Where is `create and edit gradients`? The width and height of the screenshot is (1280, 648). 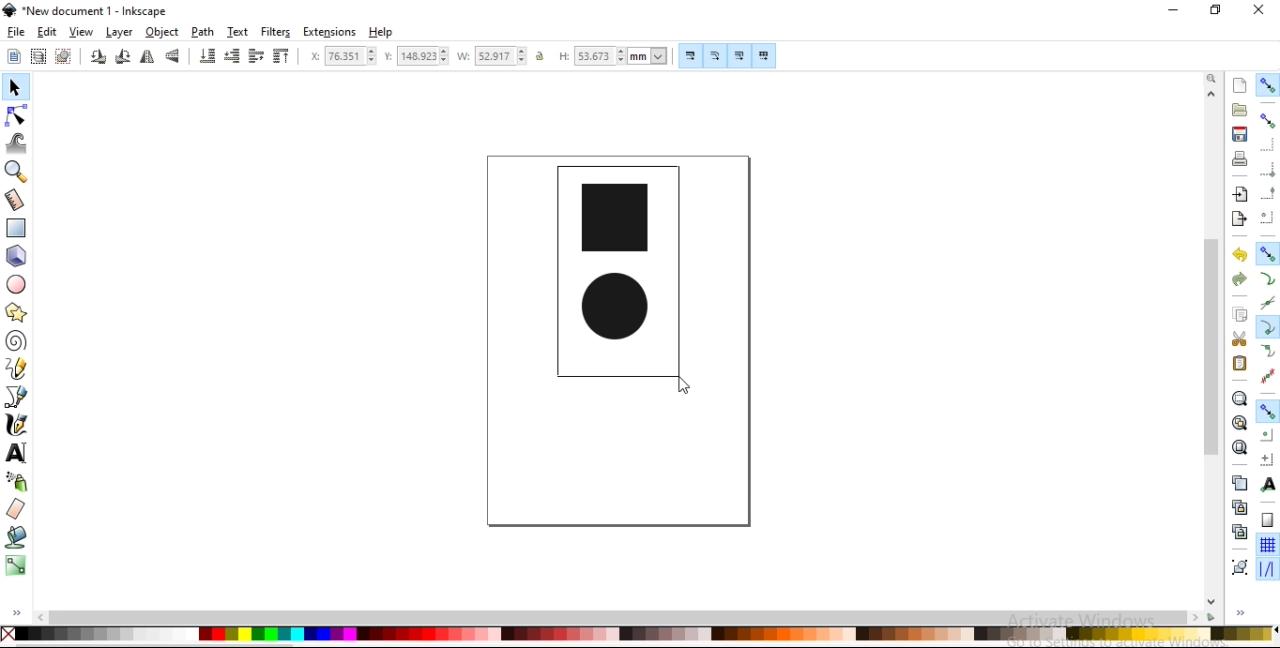 create and edit gradients is located at coordinates (17, 566).